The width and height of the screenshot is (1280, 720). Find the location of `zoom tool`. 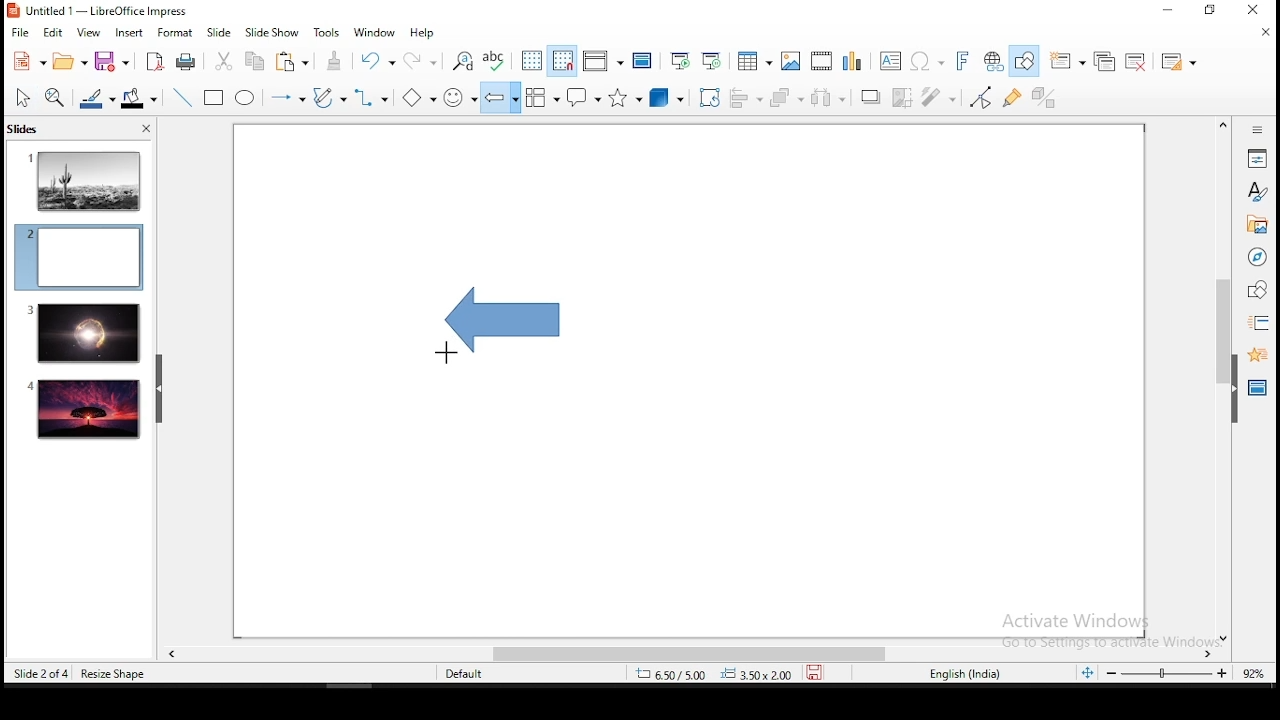

zoom tool is located at coordinates (55, 99).